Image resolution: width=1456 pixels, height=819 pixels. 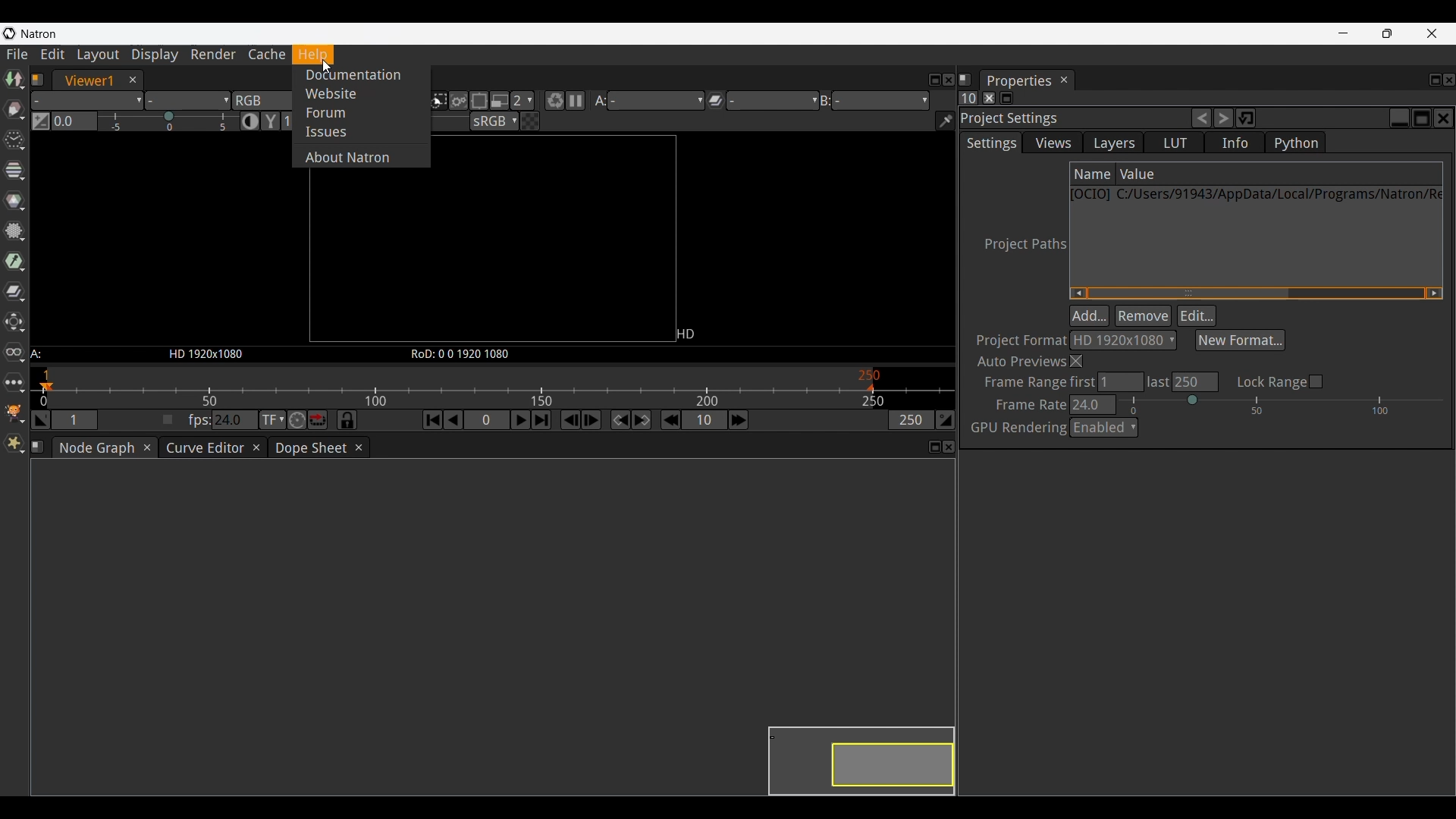 I want to click on Set the time display format, so click(x=273, y=419).